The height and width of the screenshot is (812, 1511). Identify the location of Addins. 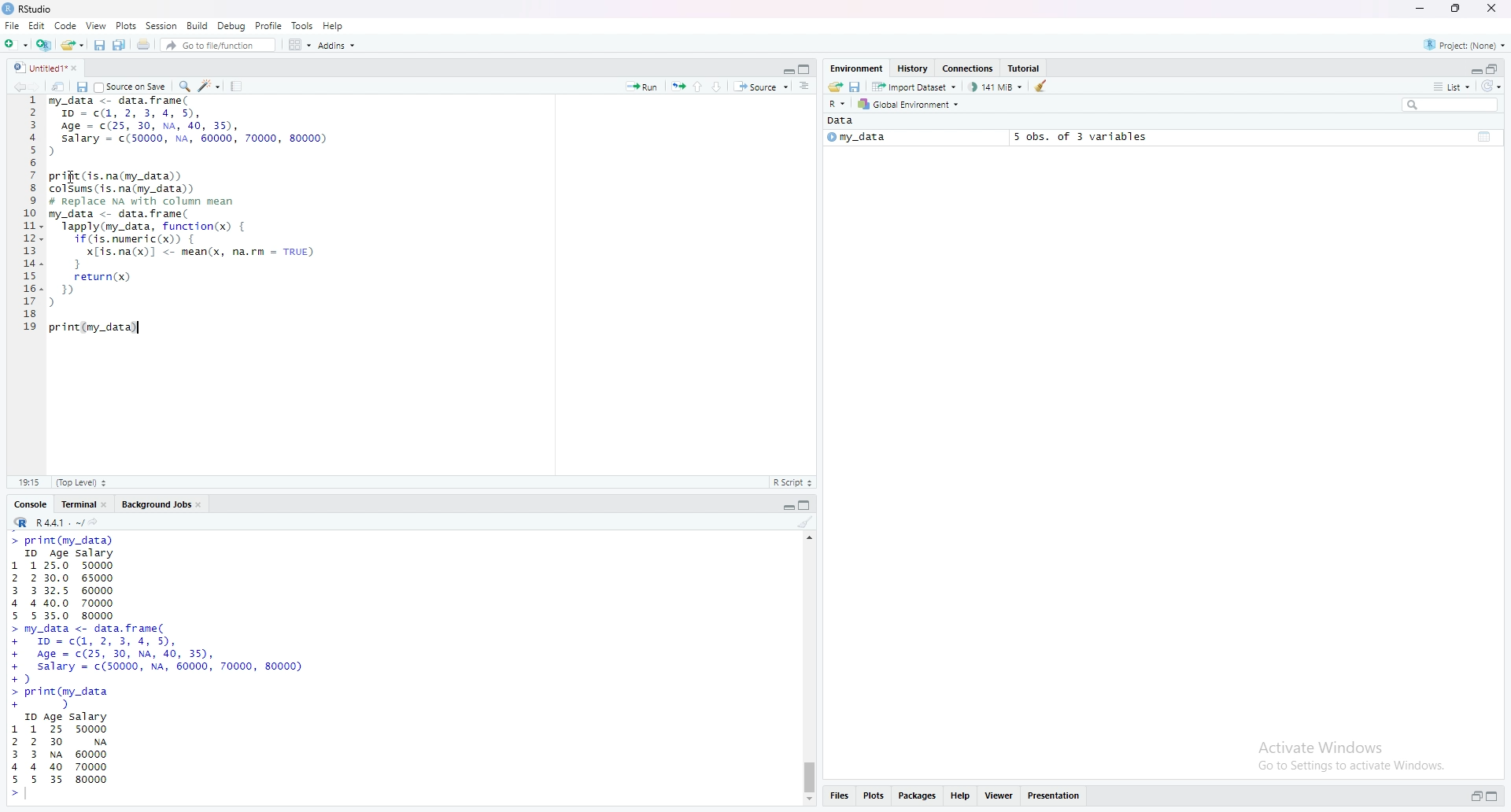
(338, 46).